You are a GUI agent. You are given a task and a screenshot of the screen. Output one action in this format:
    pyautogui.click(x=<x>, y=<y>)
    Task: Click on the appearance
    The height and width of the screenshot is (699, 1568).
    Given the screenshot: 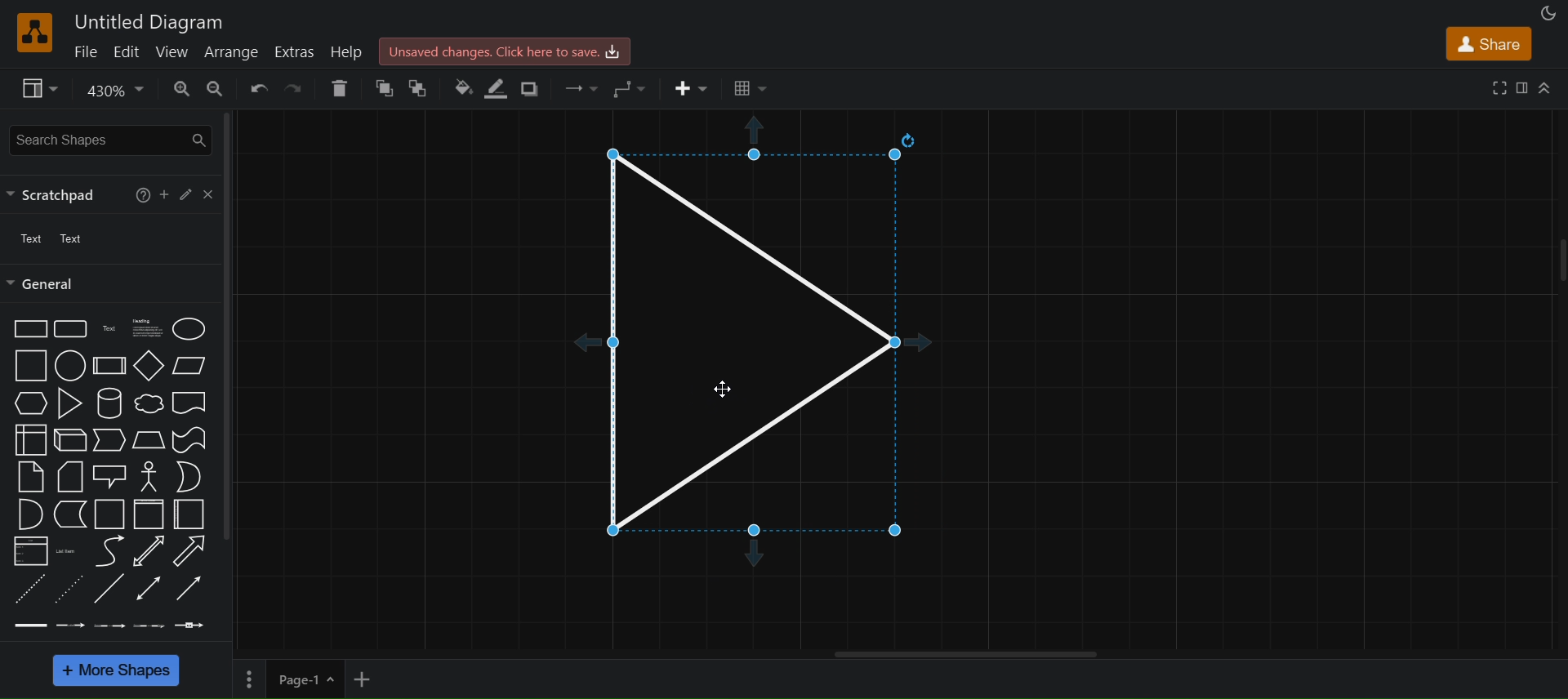 What is the action you would take?
    pyautogui.click(x=1546, y=12)
    